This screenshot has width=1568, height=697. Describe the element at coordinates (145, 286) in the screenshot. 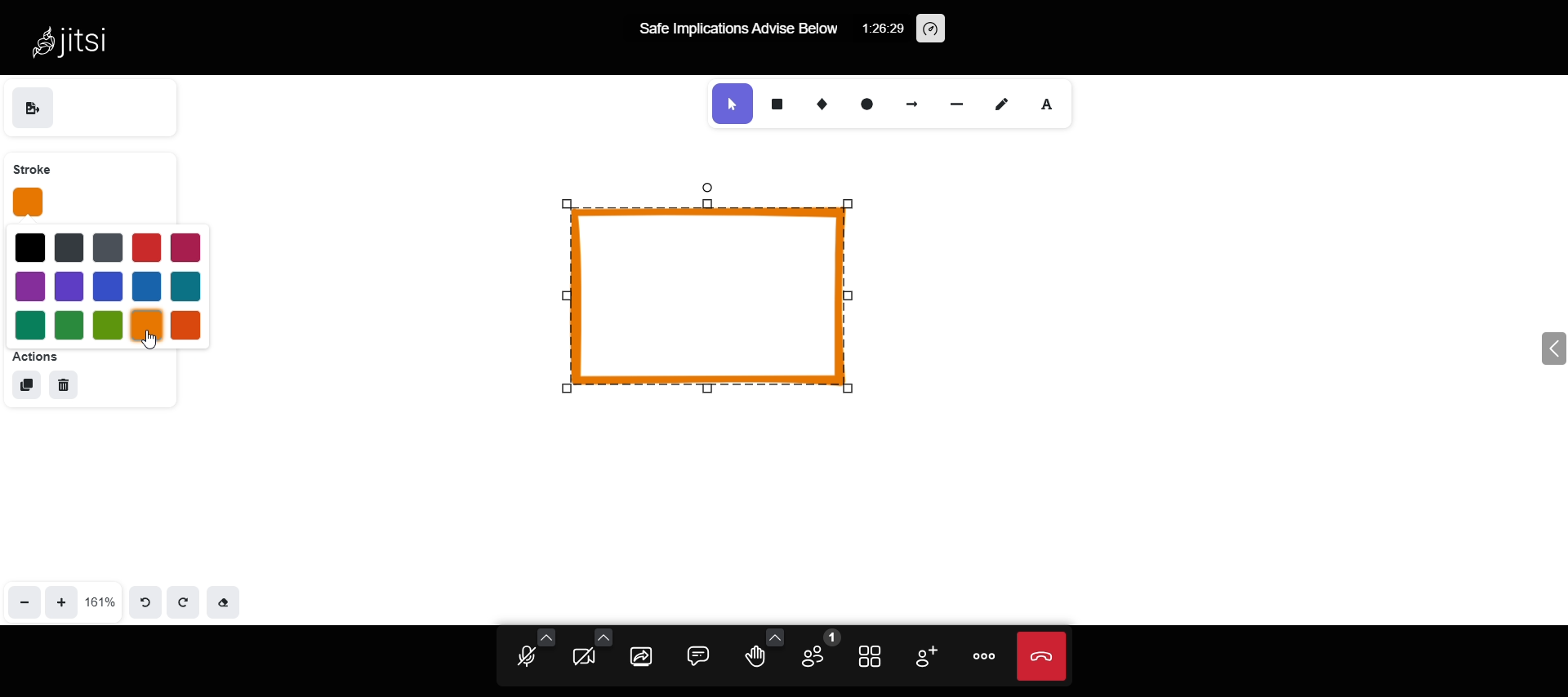

I see `blue 4` at that location.